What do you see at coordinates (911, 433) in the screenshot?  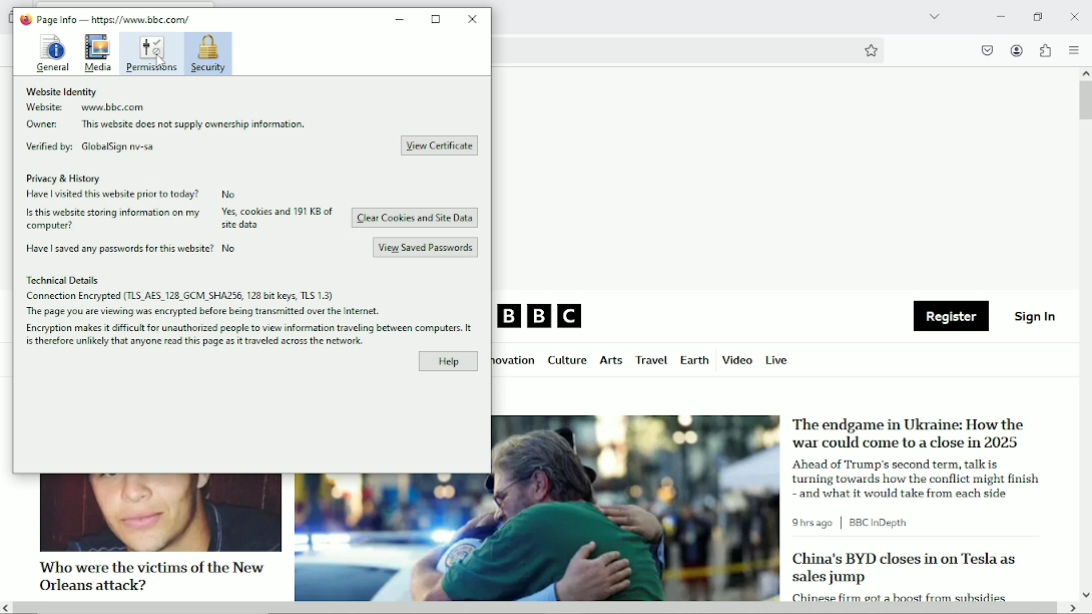 I see `The endgame in Ukraine: How the war could come to a close in 2025` at bounding box center [911, 433].